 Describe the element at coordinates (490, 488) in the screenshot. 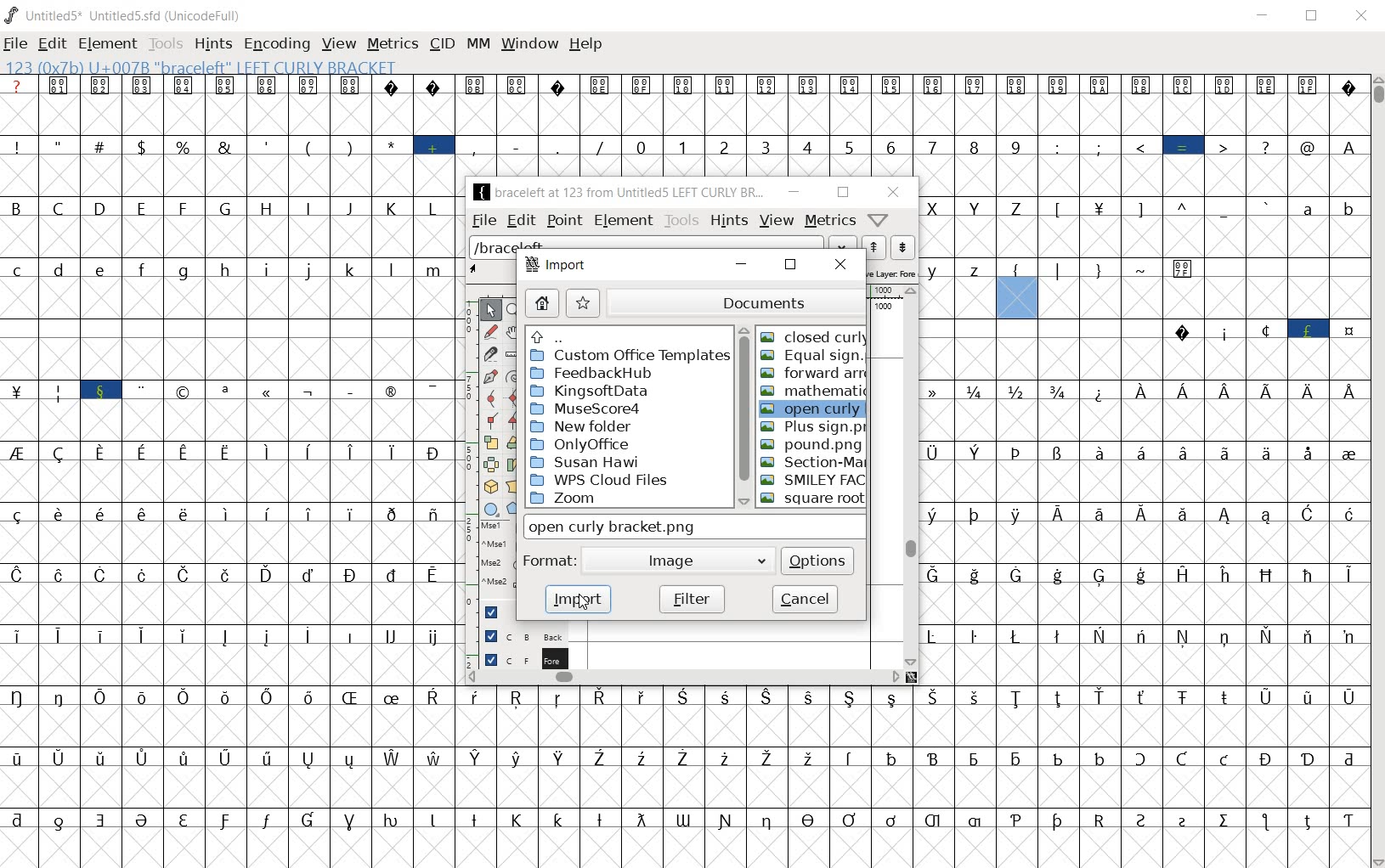

I see `rotate the selection in 3D and project back to plane` at that location.